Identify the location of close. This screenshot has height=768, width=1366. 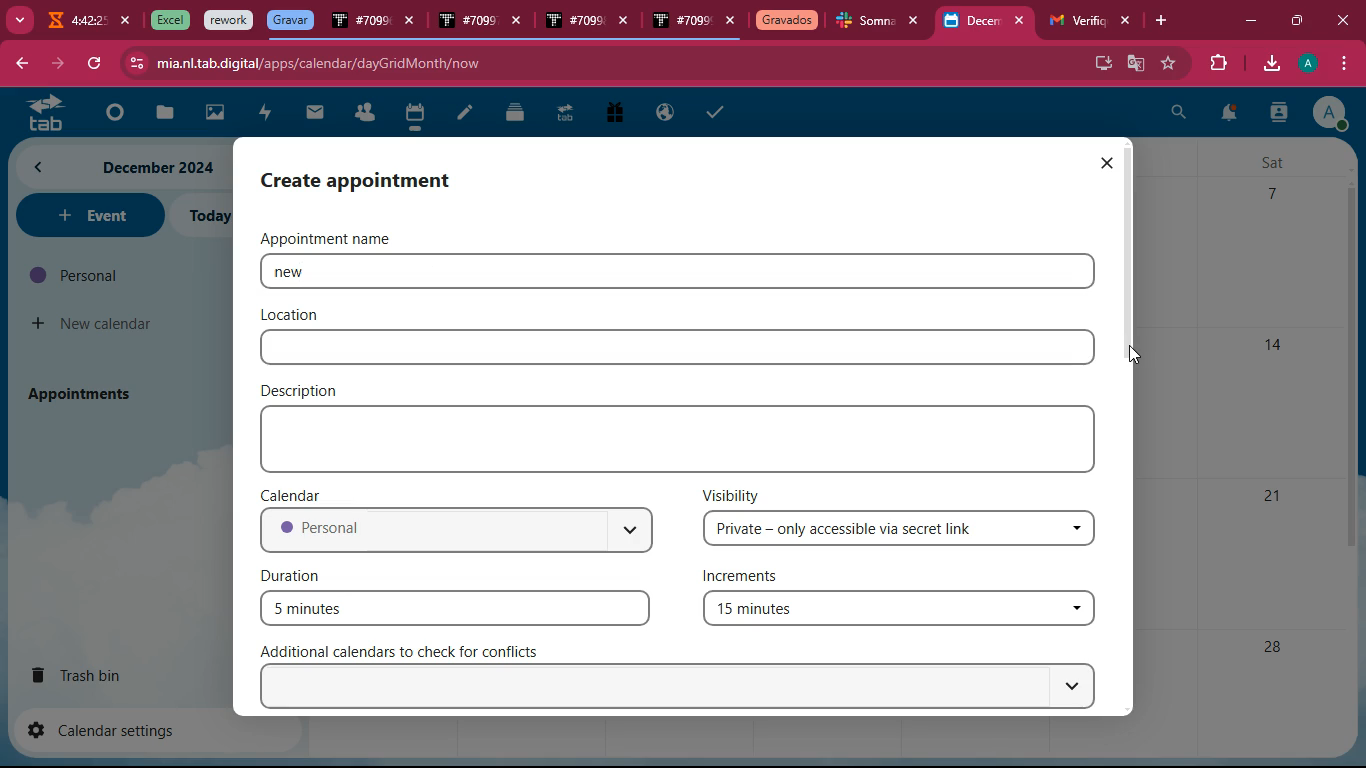
(411, 23).